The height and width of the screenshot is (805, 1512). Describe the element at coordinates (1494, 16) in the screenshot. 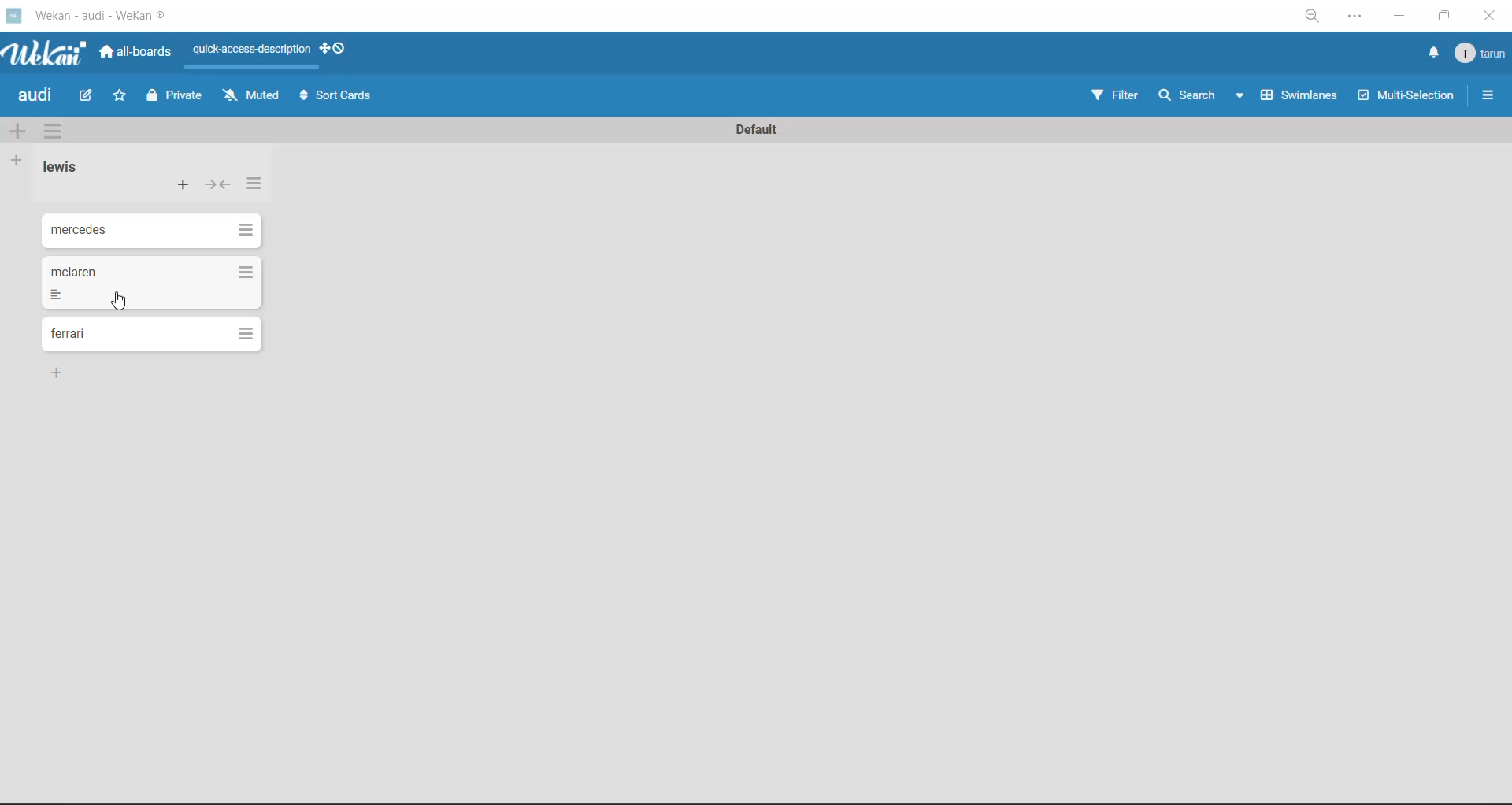

I see `close` at that location.